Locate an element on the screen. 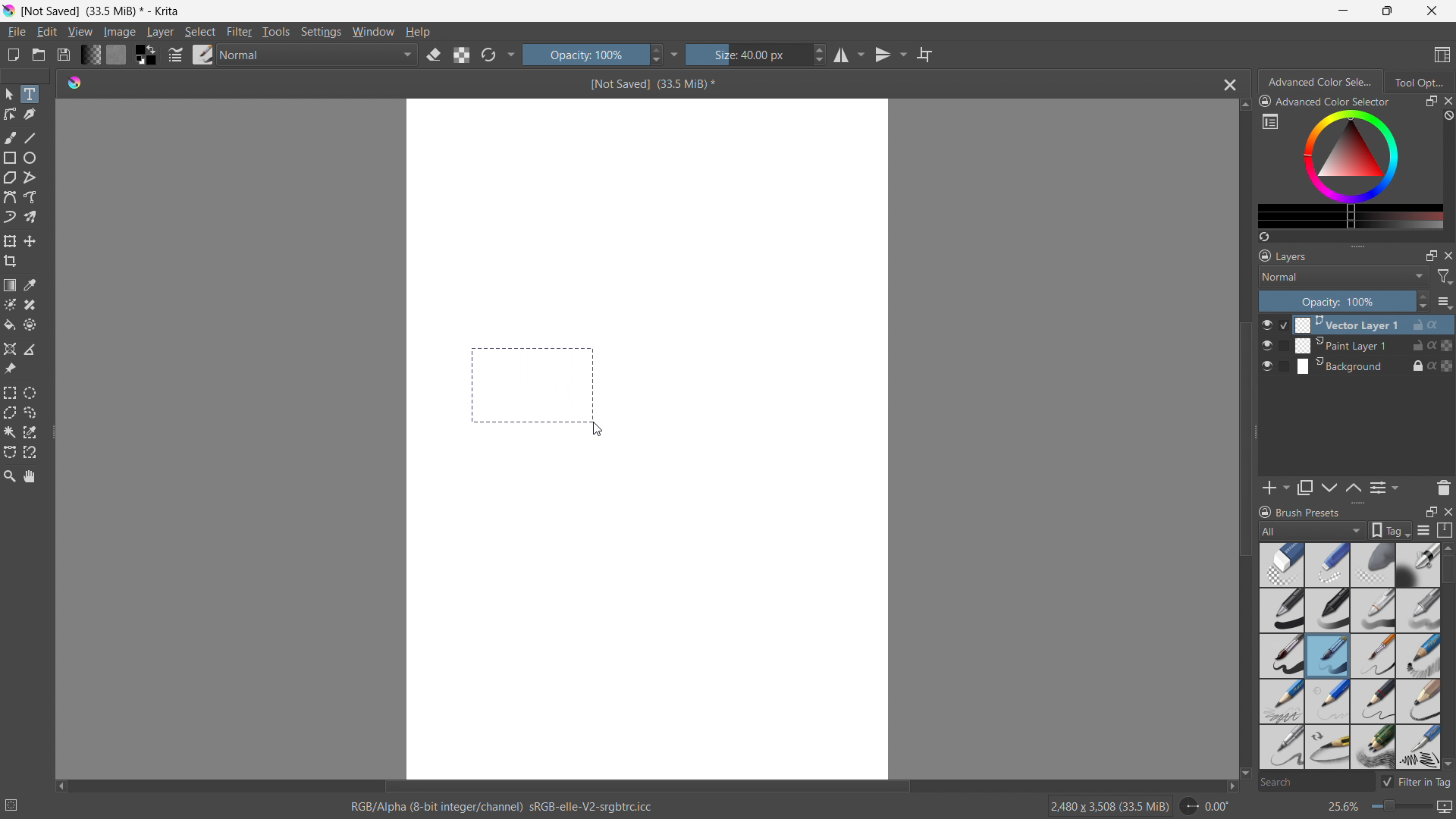  more settings is located at coordinates (512, 53).